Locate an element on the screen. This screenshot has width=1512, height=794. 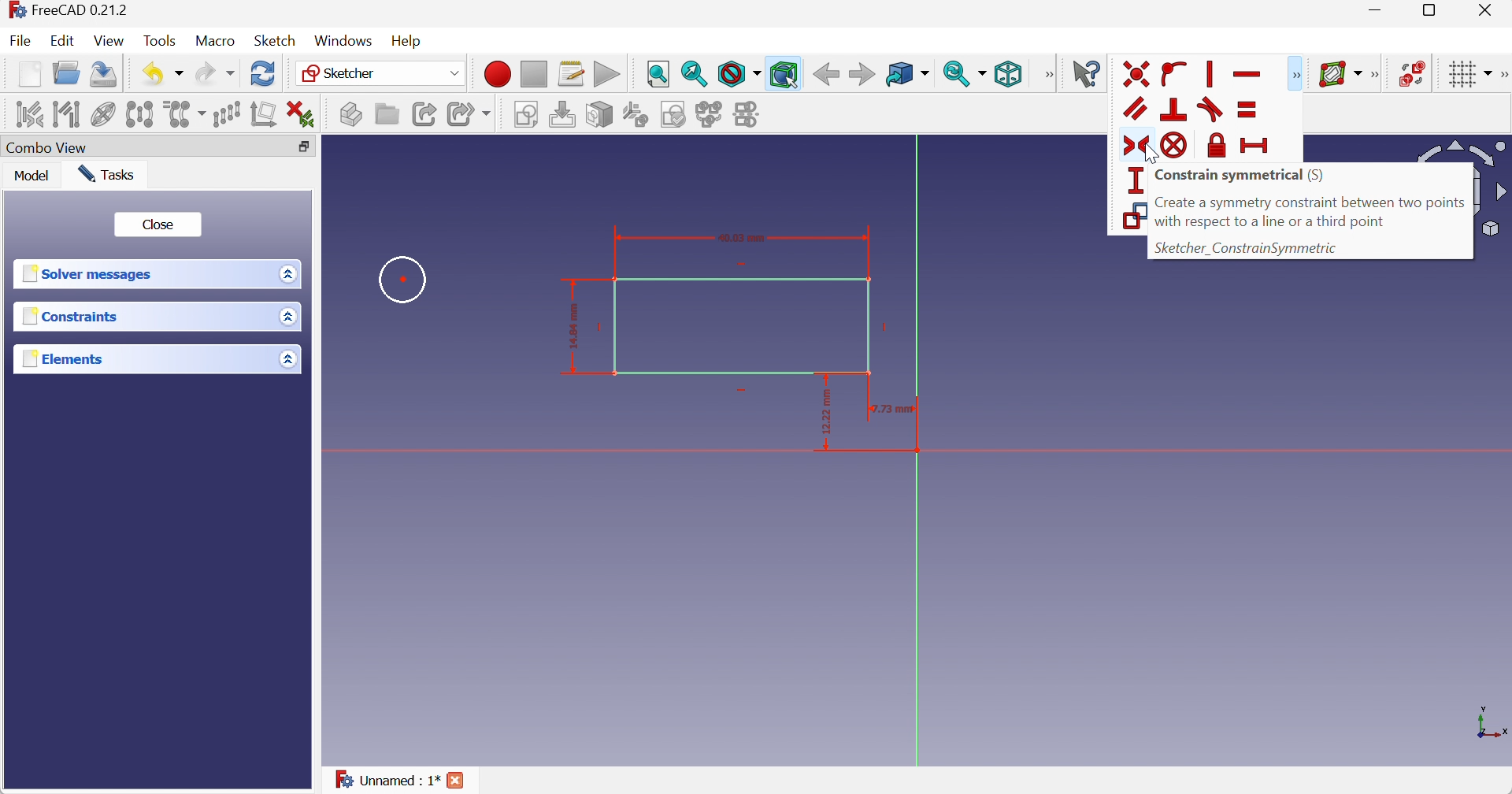
Create part is located at coordinates (350, 113).